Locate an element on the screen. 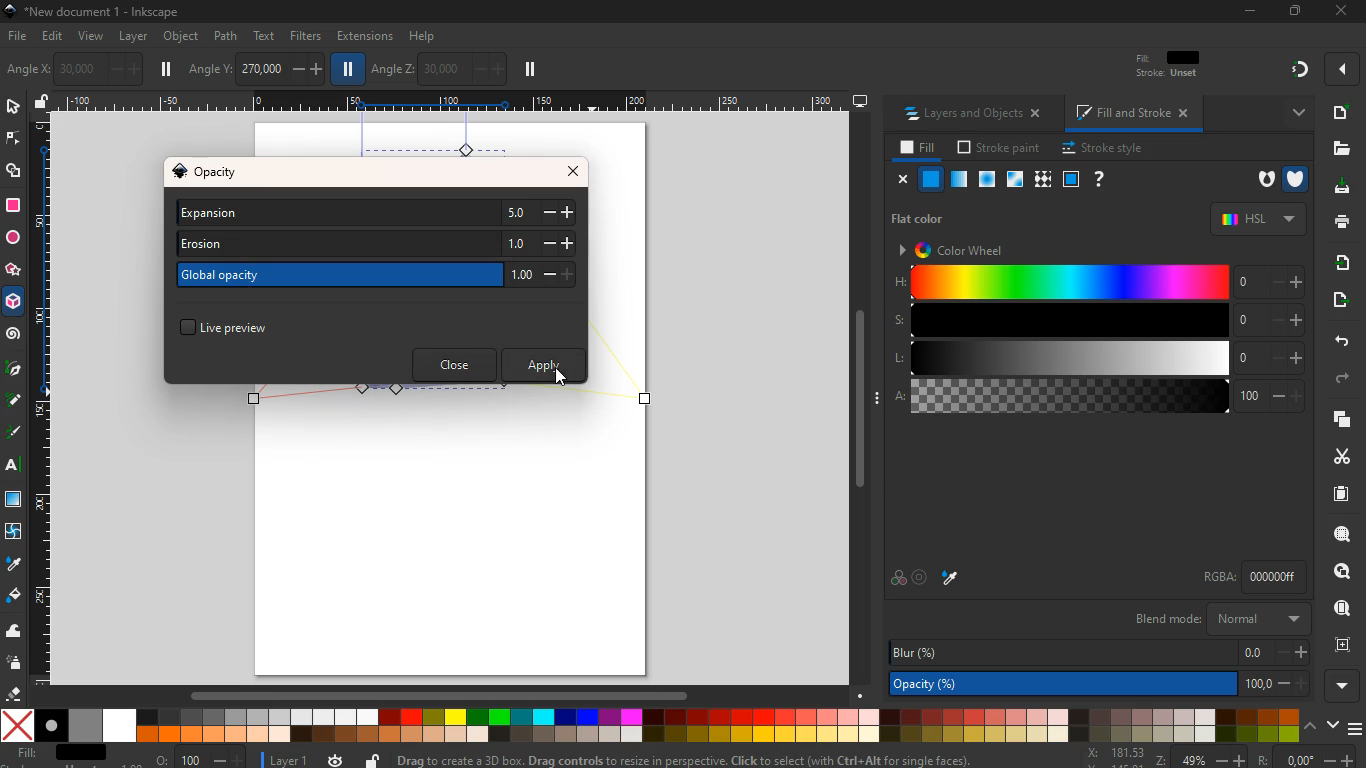 This screenshot has height=768, width=1366.  is located at coordinates (1267, 758).